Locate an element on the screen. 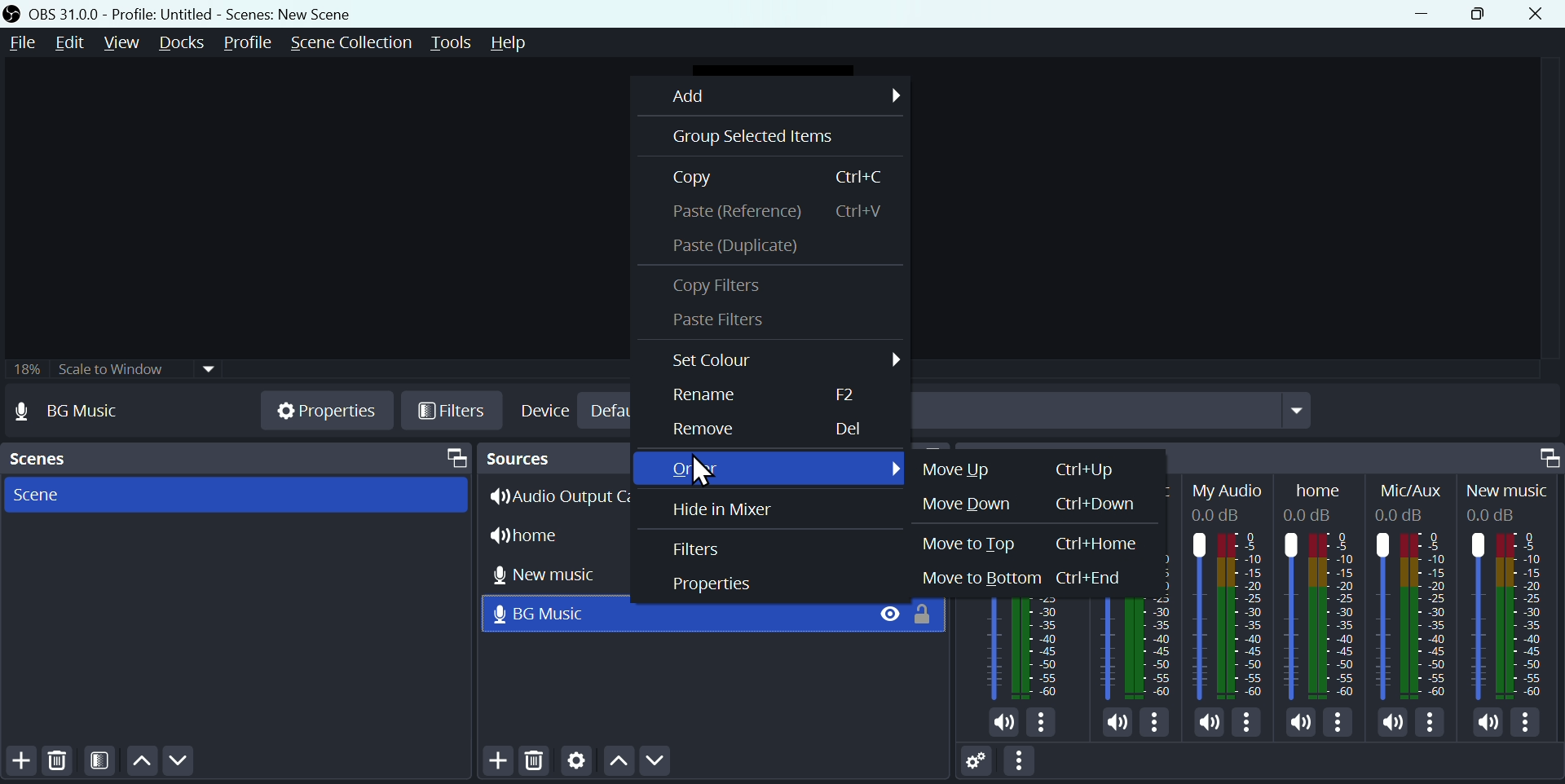 The height and width of the screenshot is (784, 1565). Sources is located at coordinates (551, 457).